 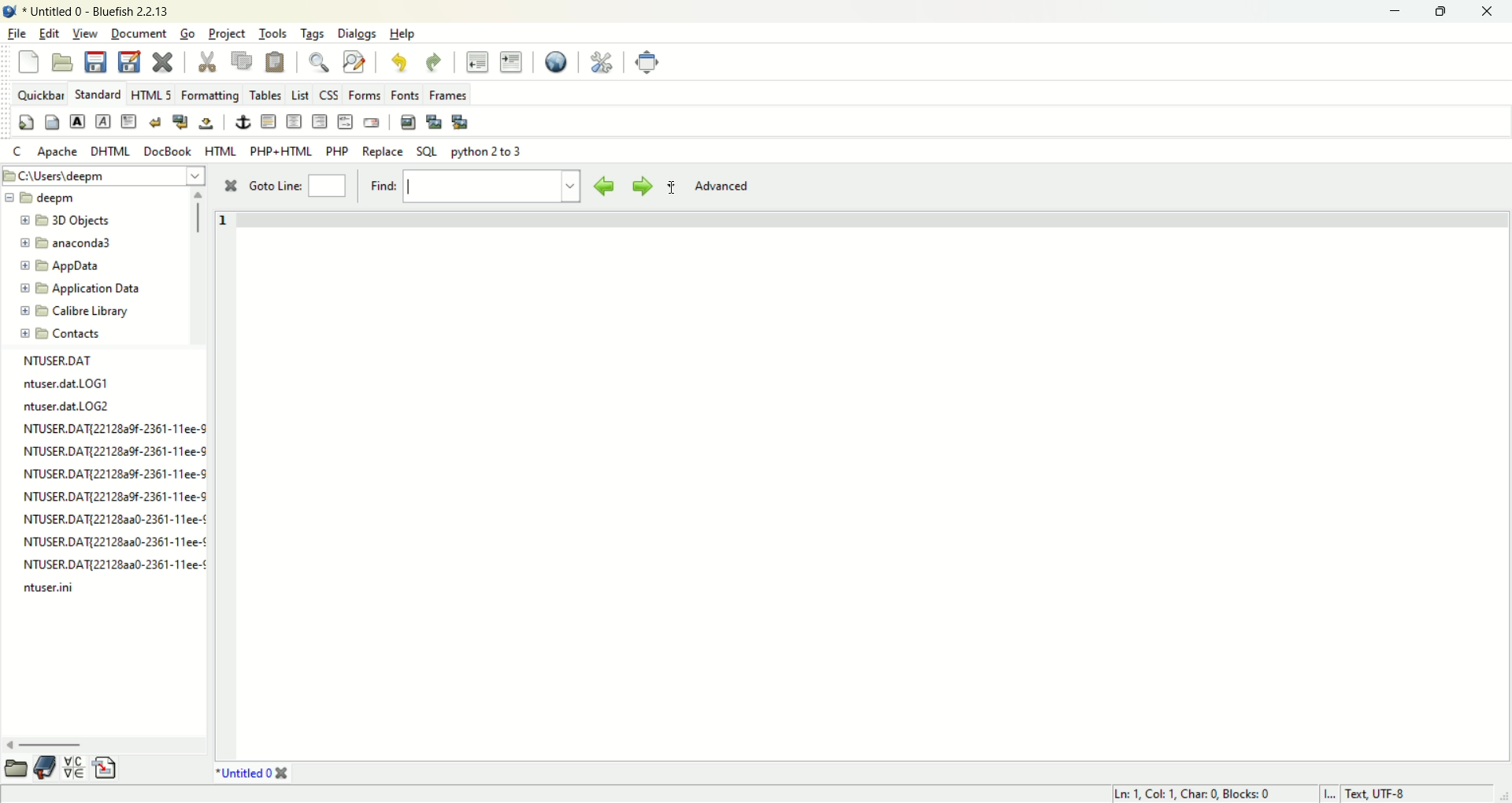 What do you see at coordinates (98, 93) in the screenshot?
I see `Standard` at bounding box center [98, 93].